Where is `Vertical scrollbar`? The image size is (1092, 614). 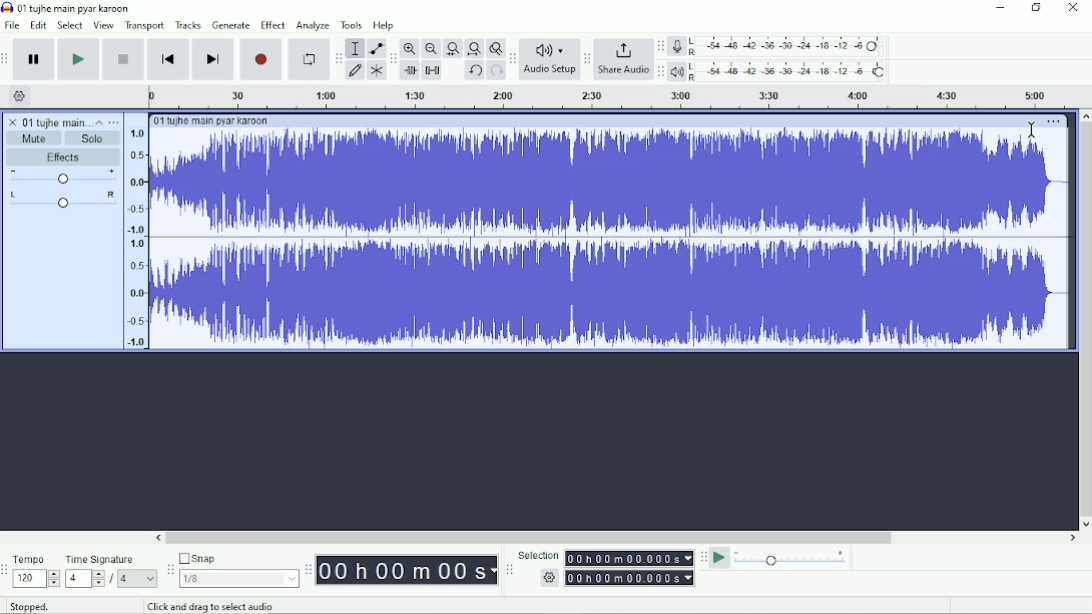 Vertical scrollbar is located at coordinates (1085, 320).